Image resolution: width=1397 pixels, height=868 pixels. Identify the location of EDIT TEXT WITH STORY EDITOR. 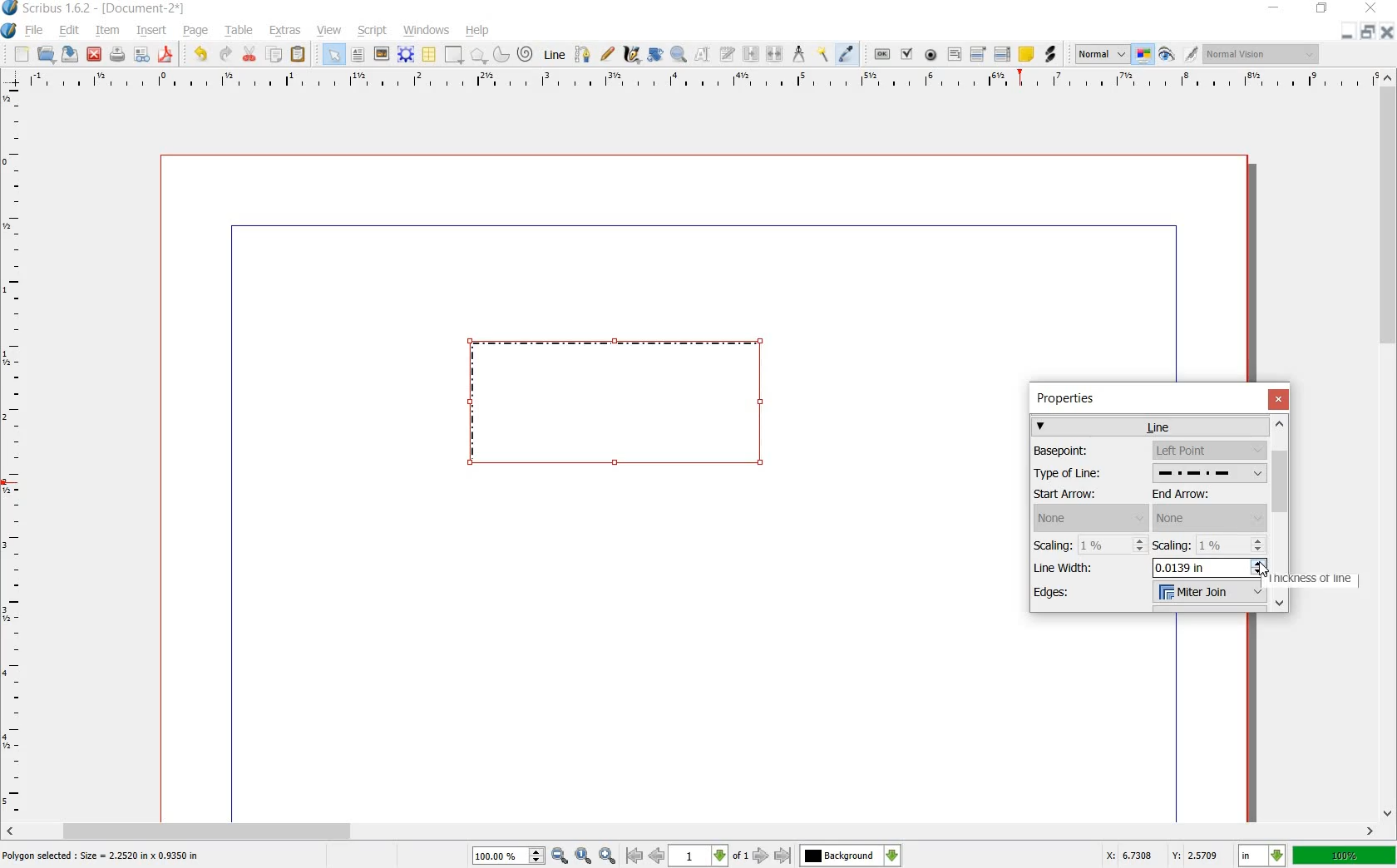
(728, 55).